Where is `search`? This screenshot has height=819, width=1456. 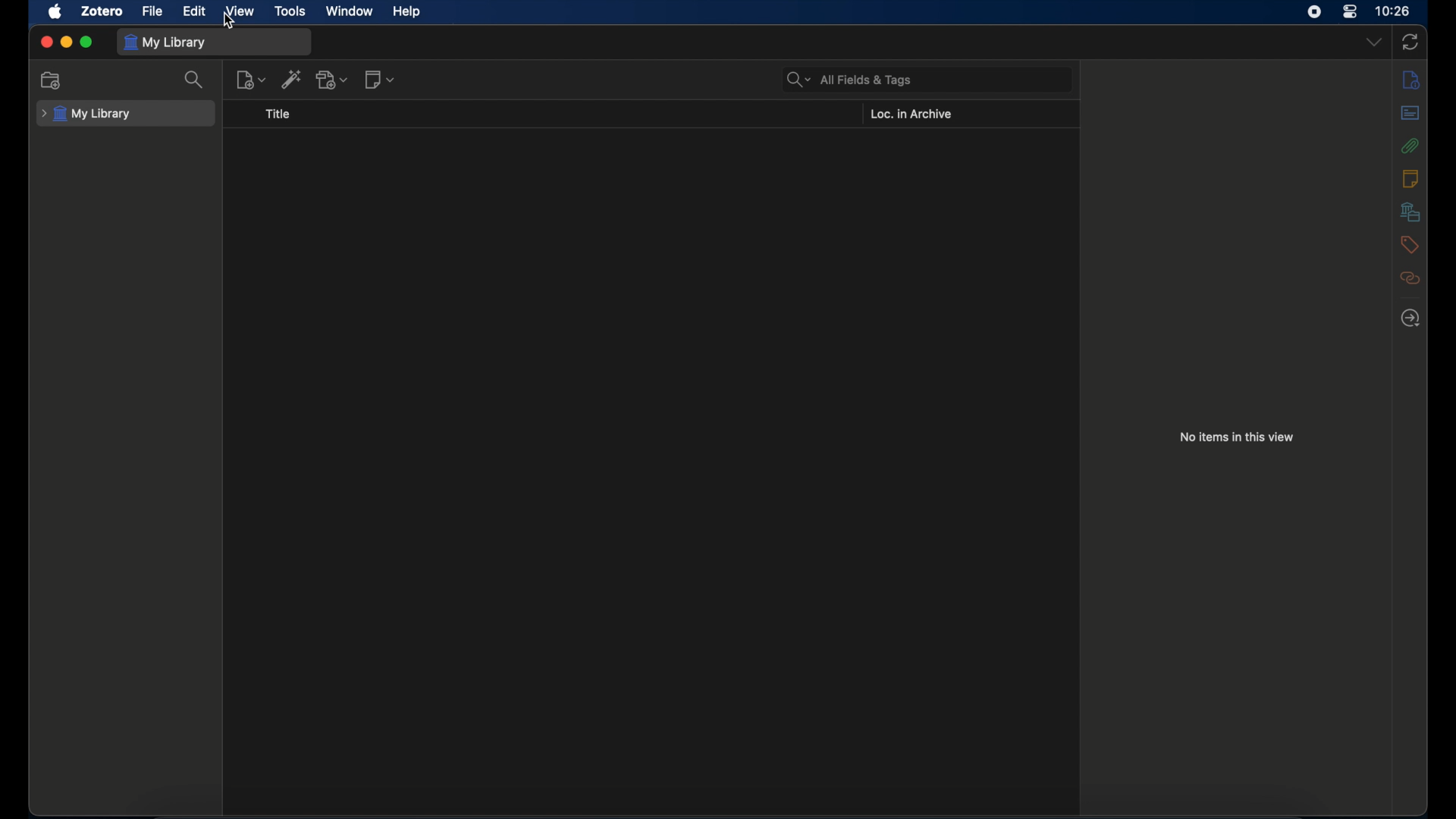 search is located at coordinates (195, 80).